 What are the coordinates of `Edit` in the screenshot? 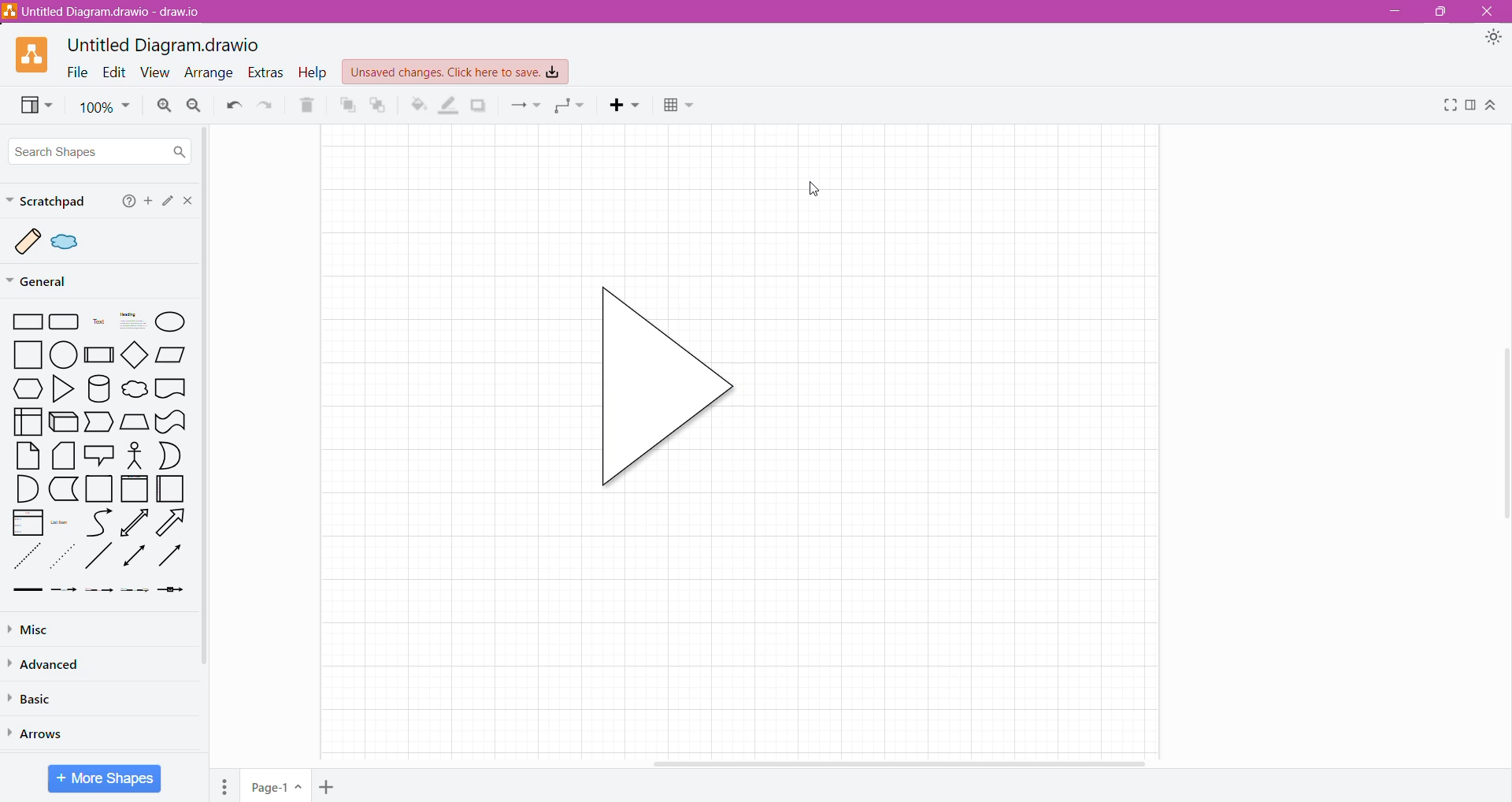 It's located at (114, 72).